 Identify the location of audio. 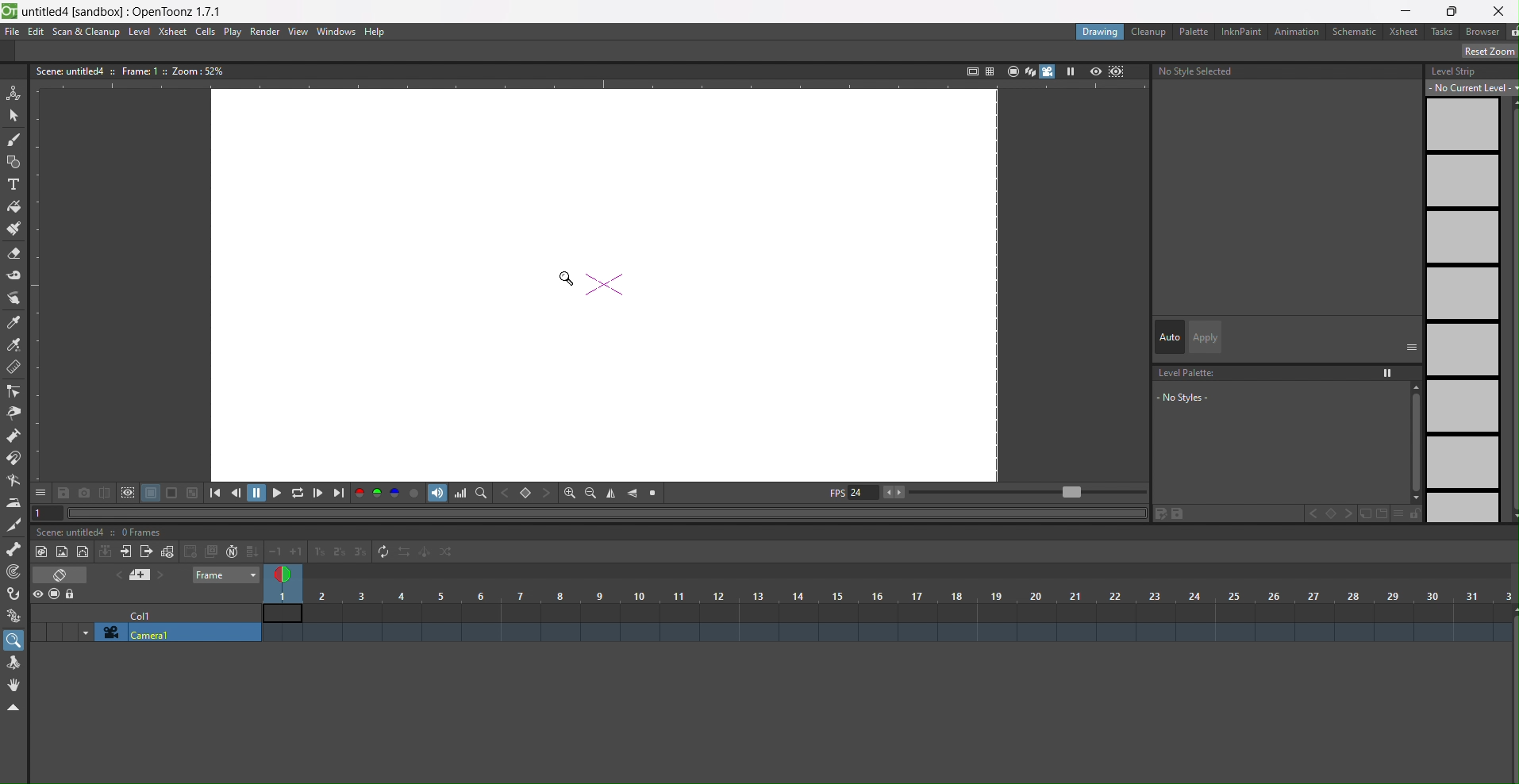
(437, 494).